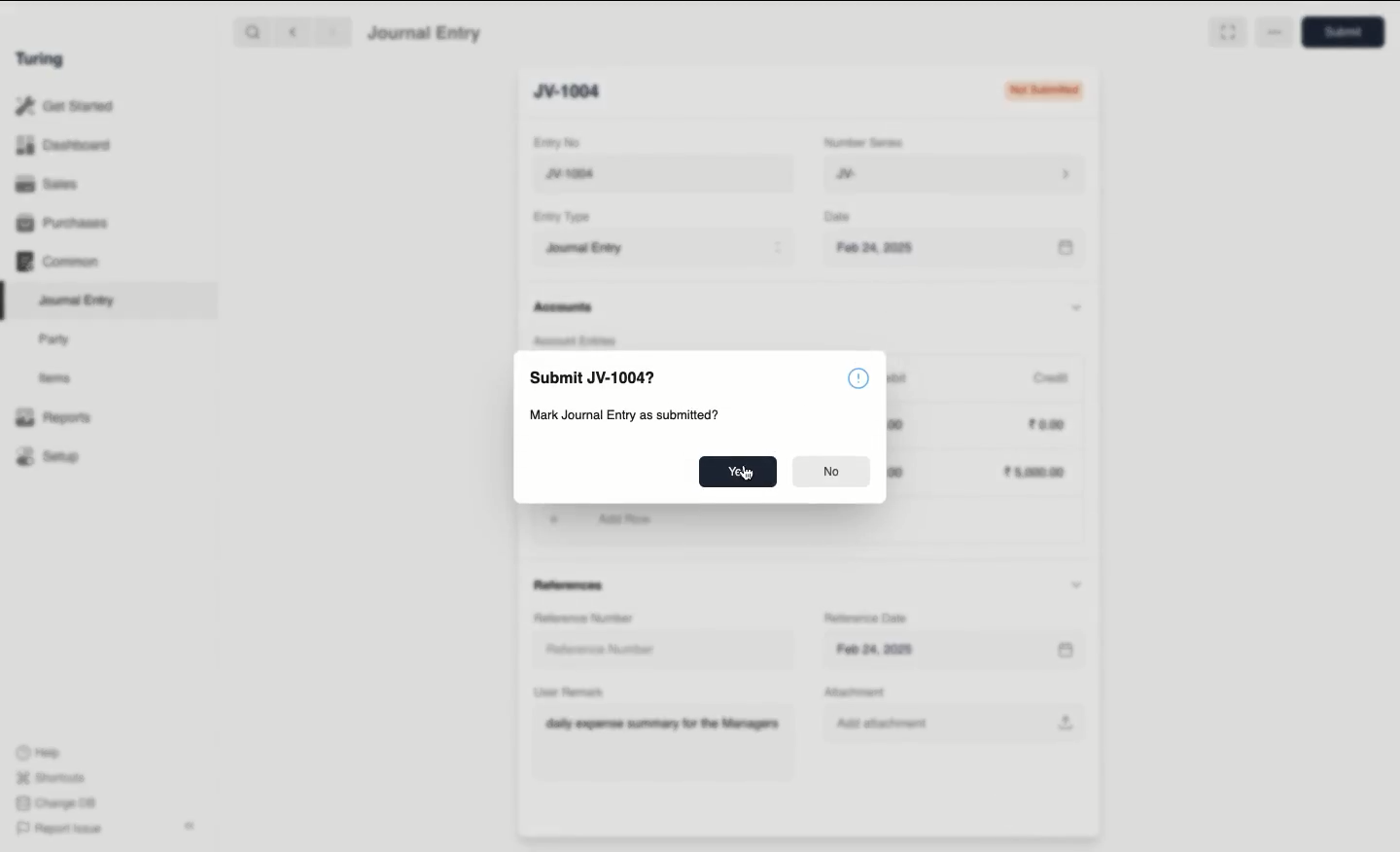 The height and width of the screenshot is (852, 1400). Describe the element at coordinates (63, 146) in the screenshot. I see `Dashboard` at that location.